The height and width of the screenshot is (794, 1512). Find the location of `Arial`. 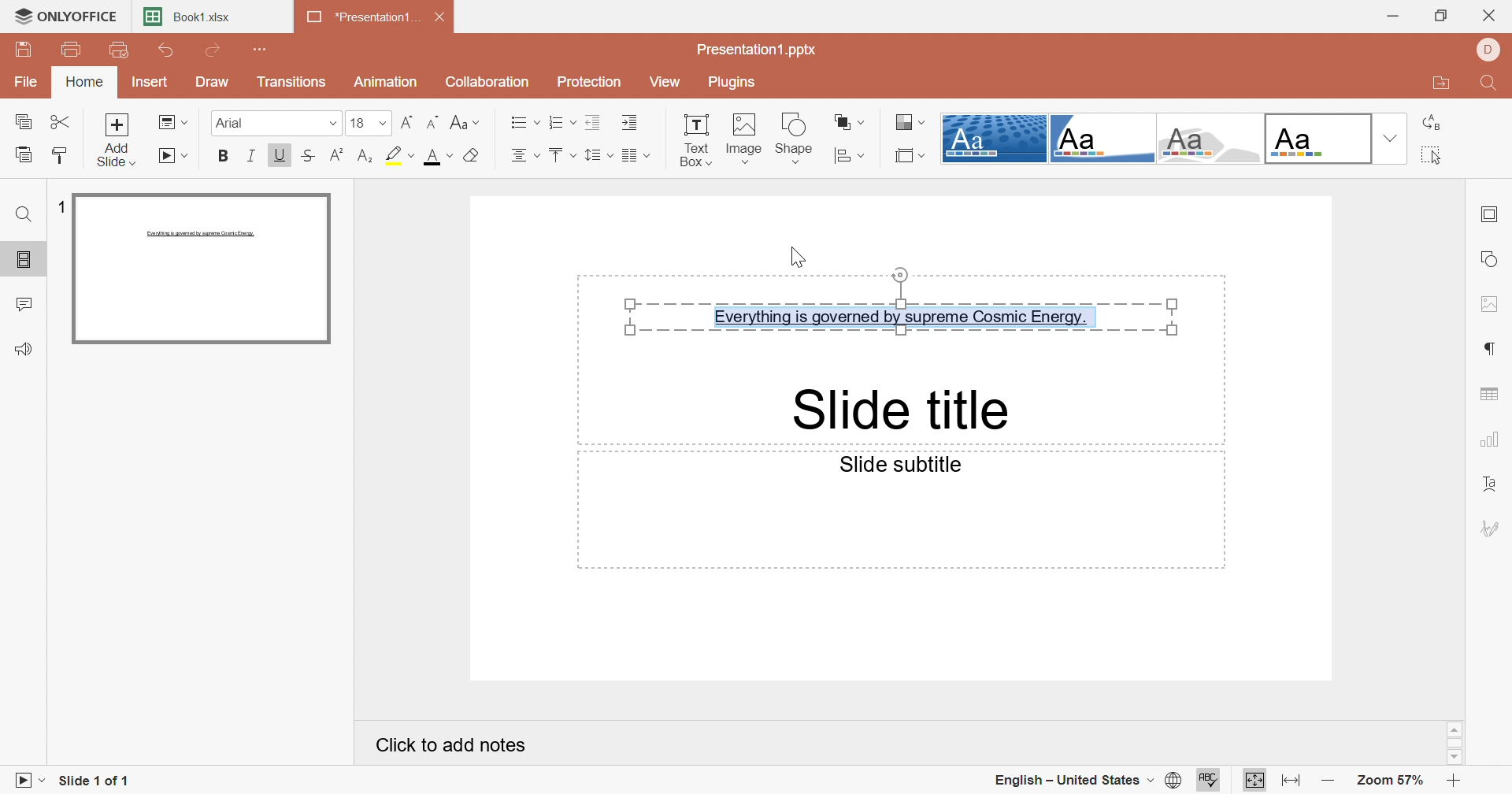

Arial is located at coordinates (276, 123).